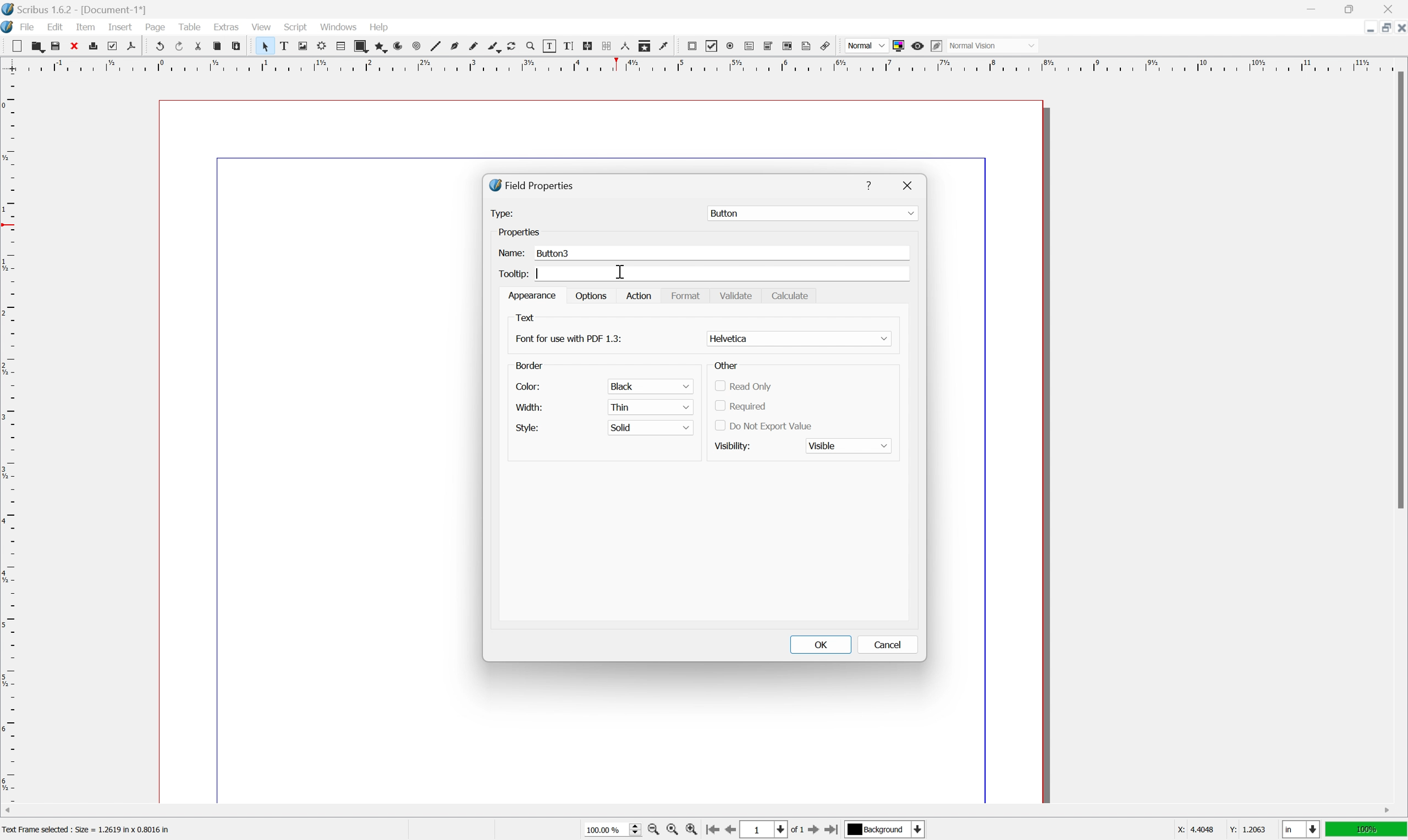  I want to click on Text Frame Selected : Size = 1.2619 in x 0.8016 in, so click(102, 828).